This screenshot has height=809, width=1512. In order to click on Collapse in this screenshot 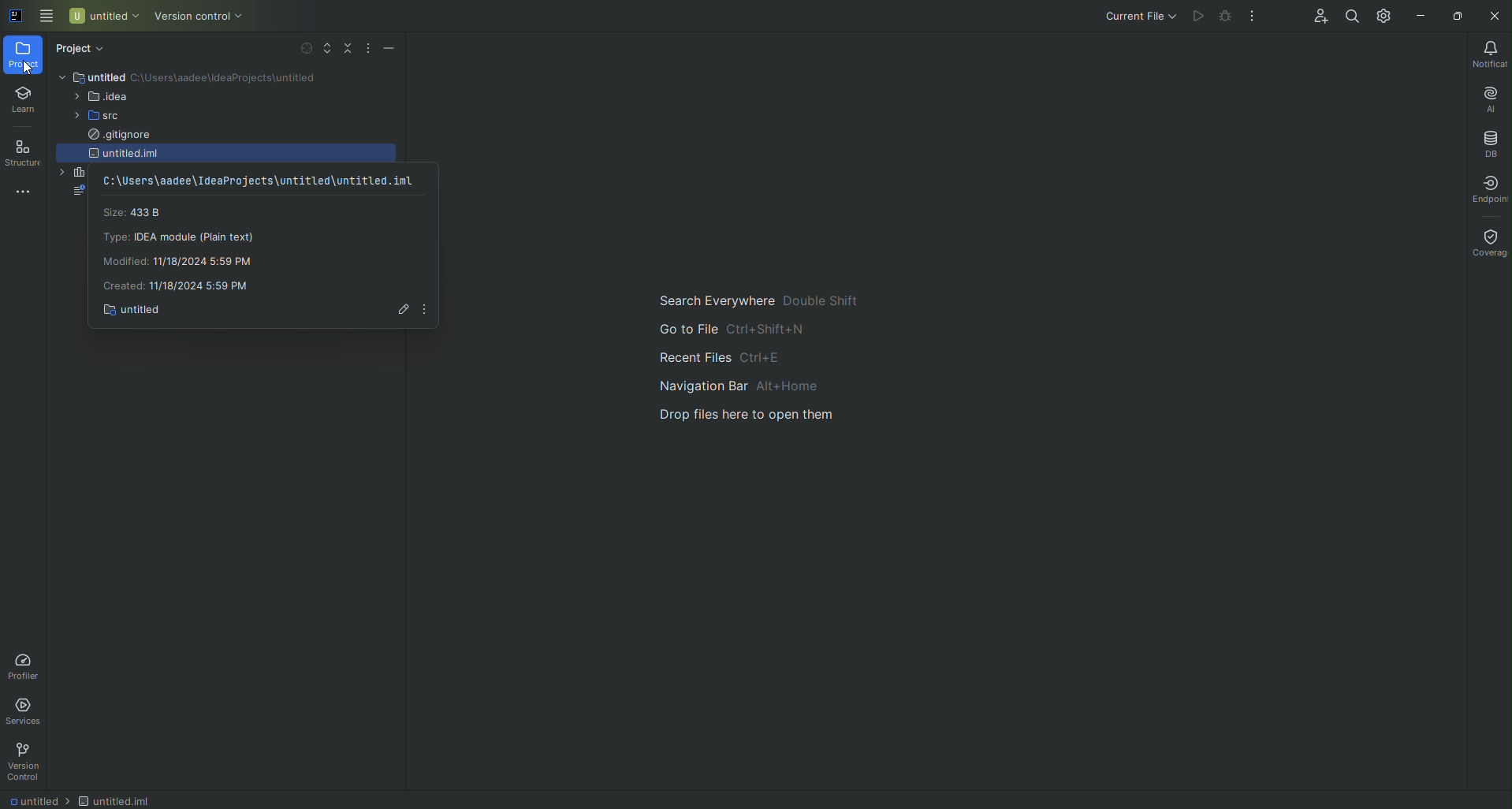, I will do `click(344, 54)`.